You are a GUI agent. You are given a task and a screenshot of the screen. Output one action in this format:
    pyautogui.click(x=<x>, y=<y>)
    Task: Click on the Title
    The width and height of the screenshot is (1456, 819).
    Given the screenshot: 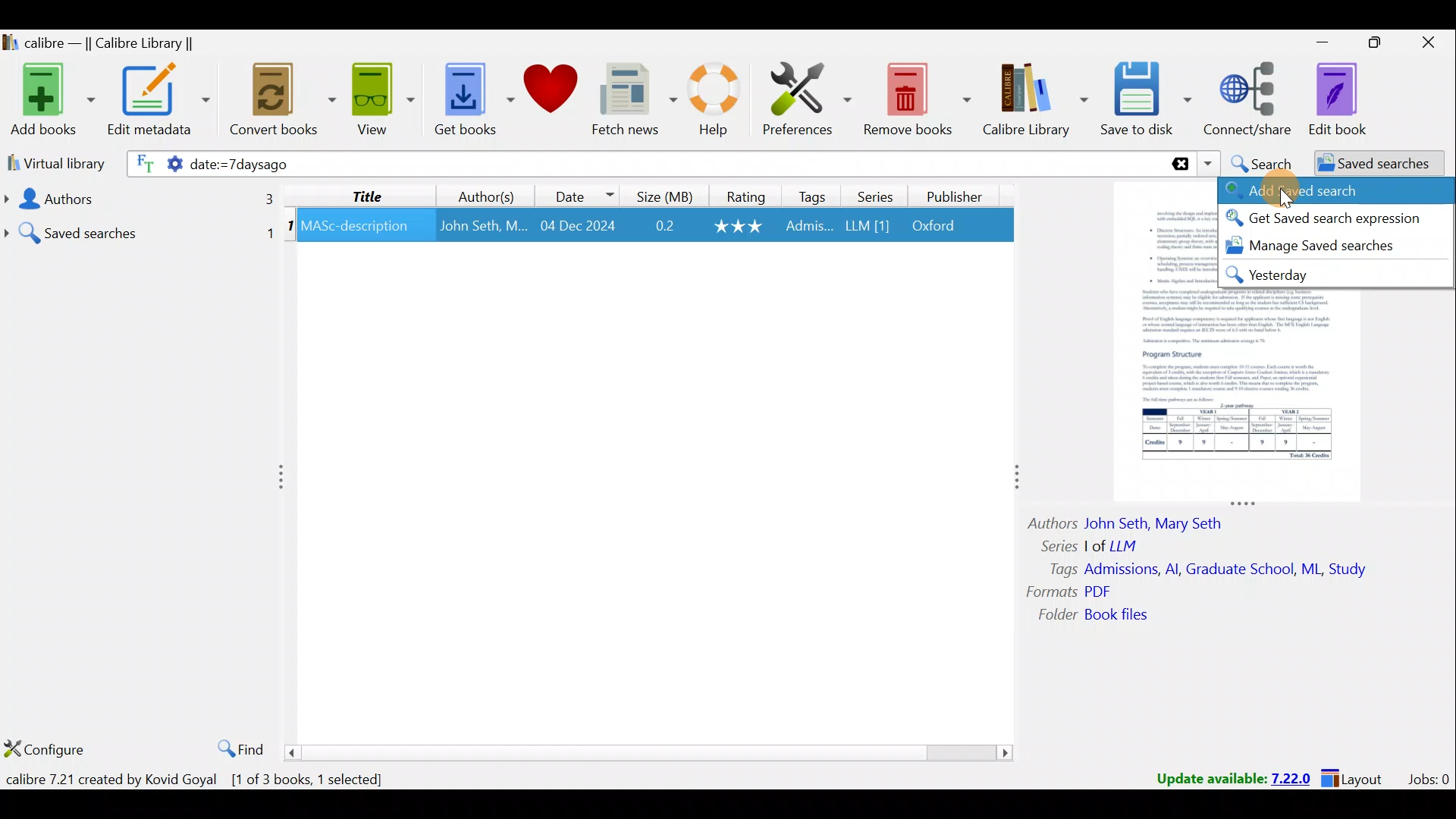 What is the action you would take?
    pyautogui.click(x=368, y=195)
    